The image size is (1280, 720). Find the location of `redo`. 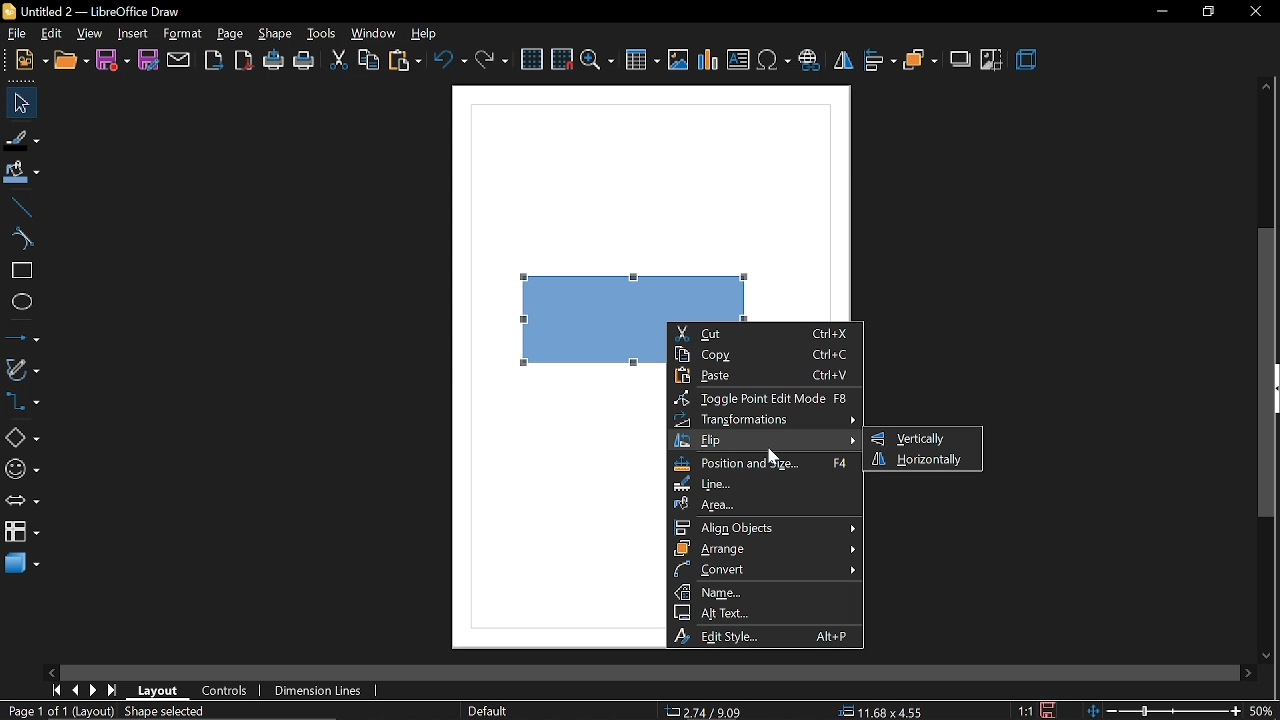

redo is located at coordinates (492, 60).